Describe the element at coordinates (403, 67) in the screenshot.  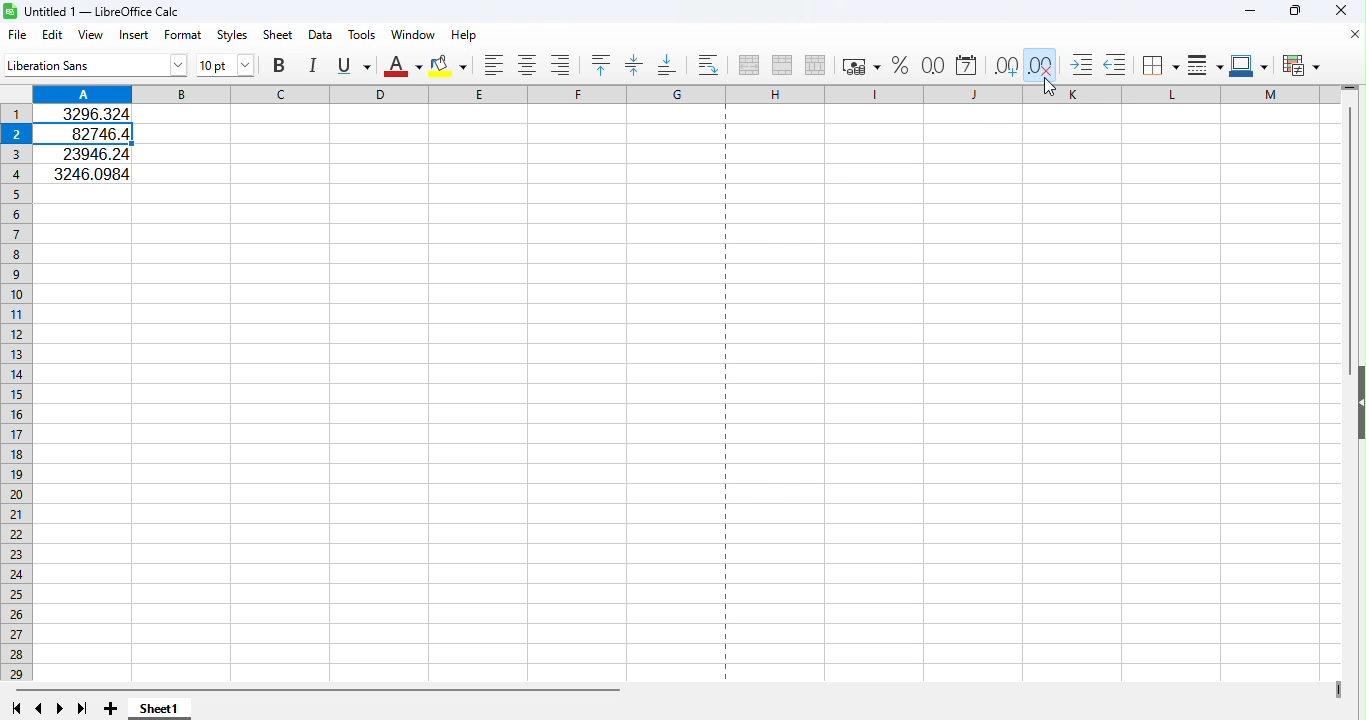
I see `Font color` at that location.